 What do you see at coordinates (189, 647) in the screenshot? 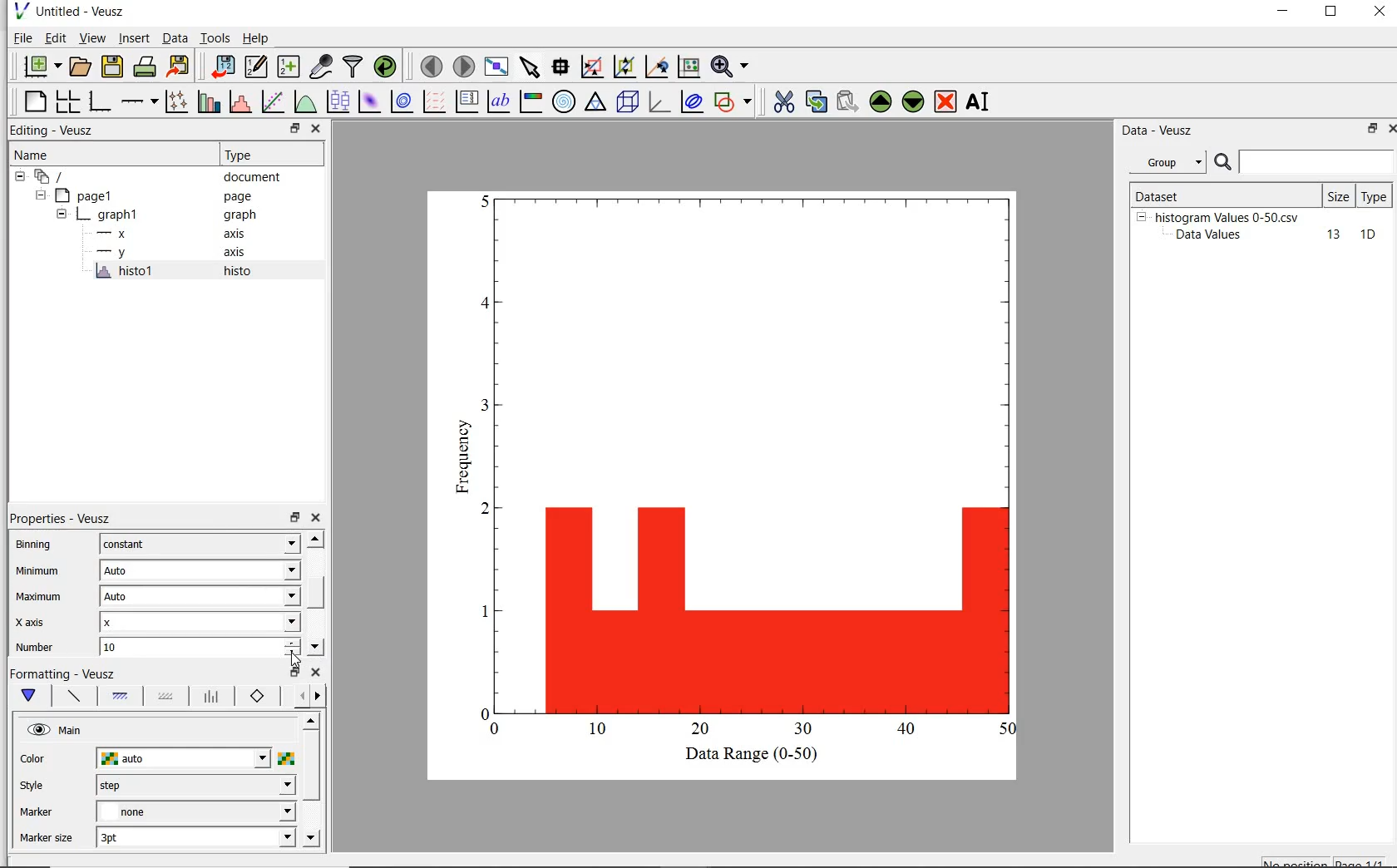
I see ` 10` at bounding box center [189, 647].